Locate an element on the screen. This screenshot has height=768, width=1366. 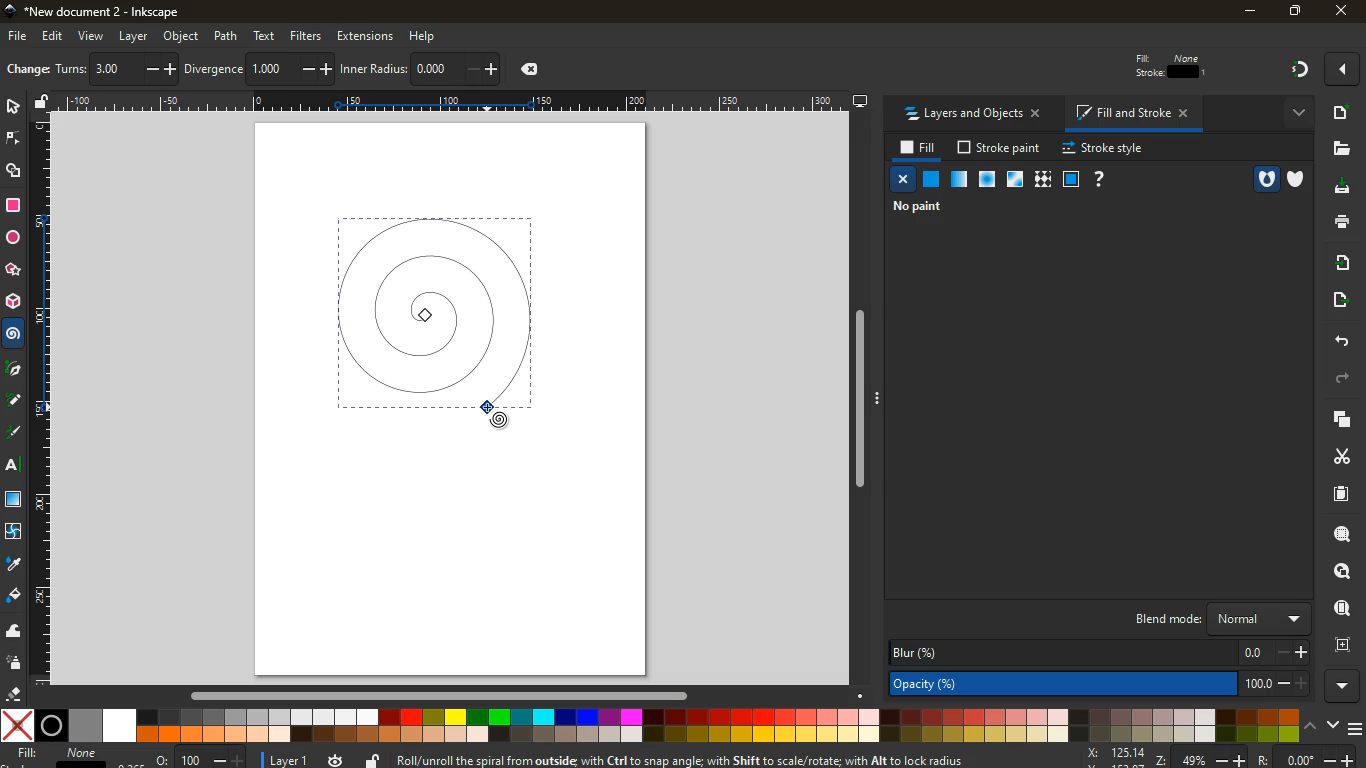
paper is located at coordinates (1342, 495).